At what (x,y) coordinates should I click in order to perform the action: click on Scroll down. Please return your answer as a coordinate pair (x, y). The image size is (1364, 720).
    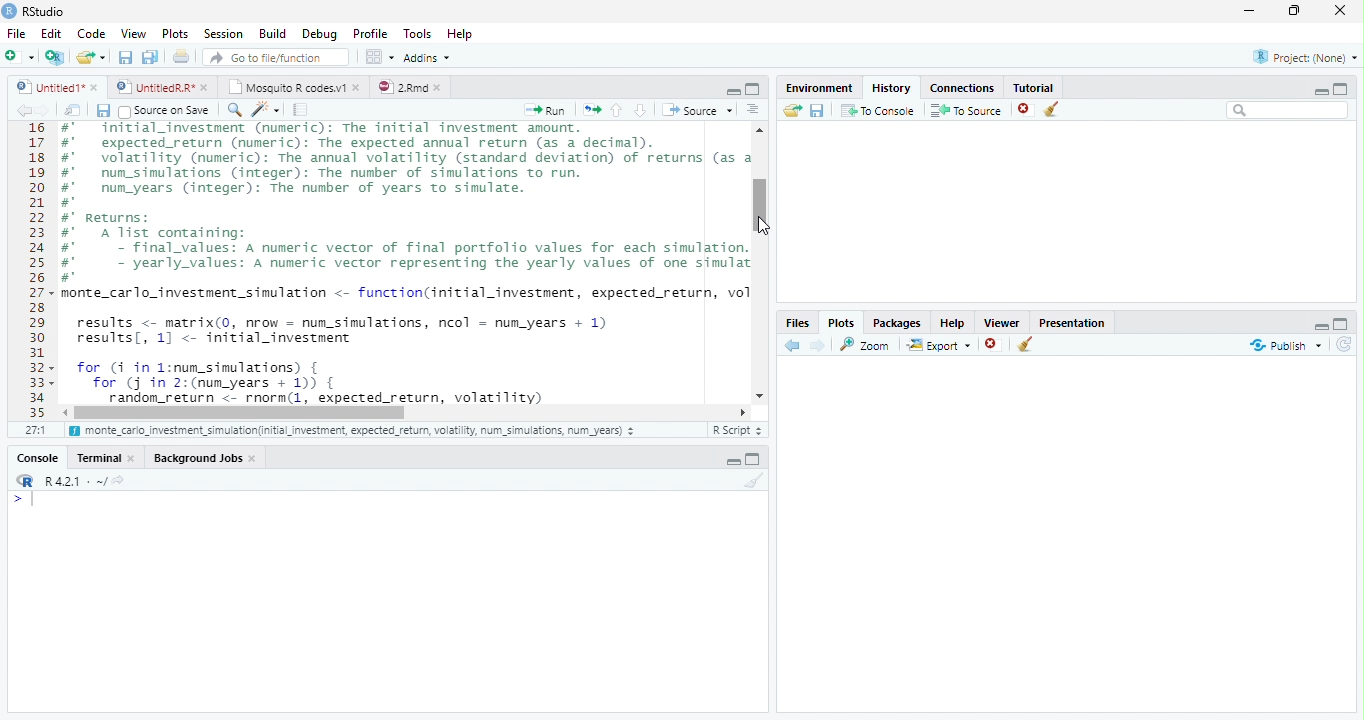
    Looking at the image, I should click on (761, 393).